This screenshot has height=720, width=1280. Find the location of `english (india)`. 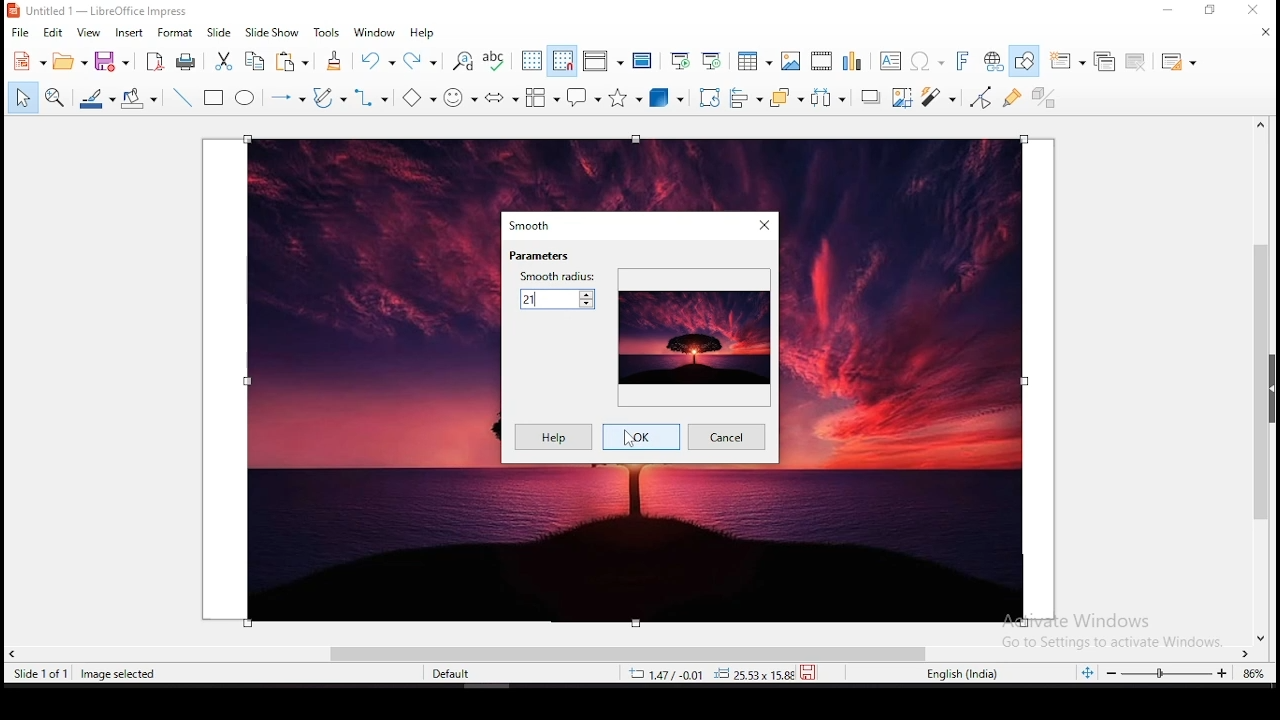

english (india) is located at coordinates (962, 674).